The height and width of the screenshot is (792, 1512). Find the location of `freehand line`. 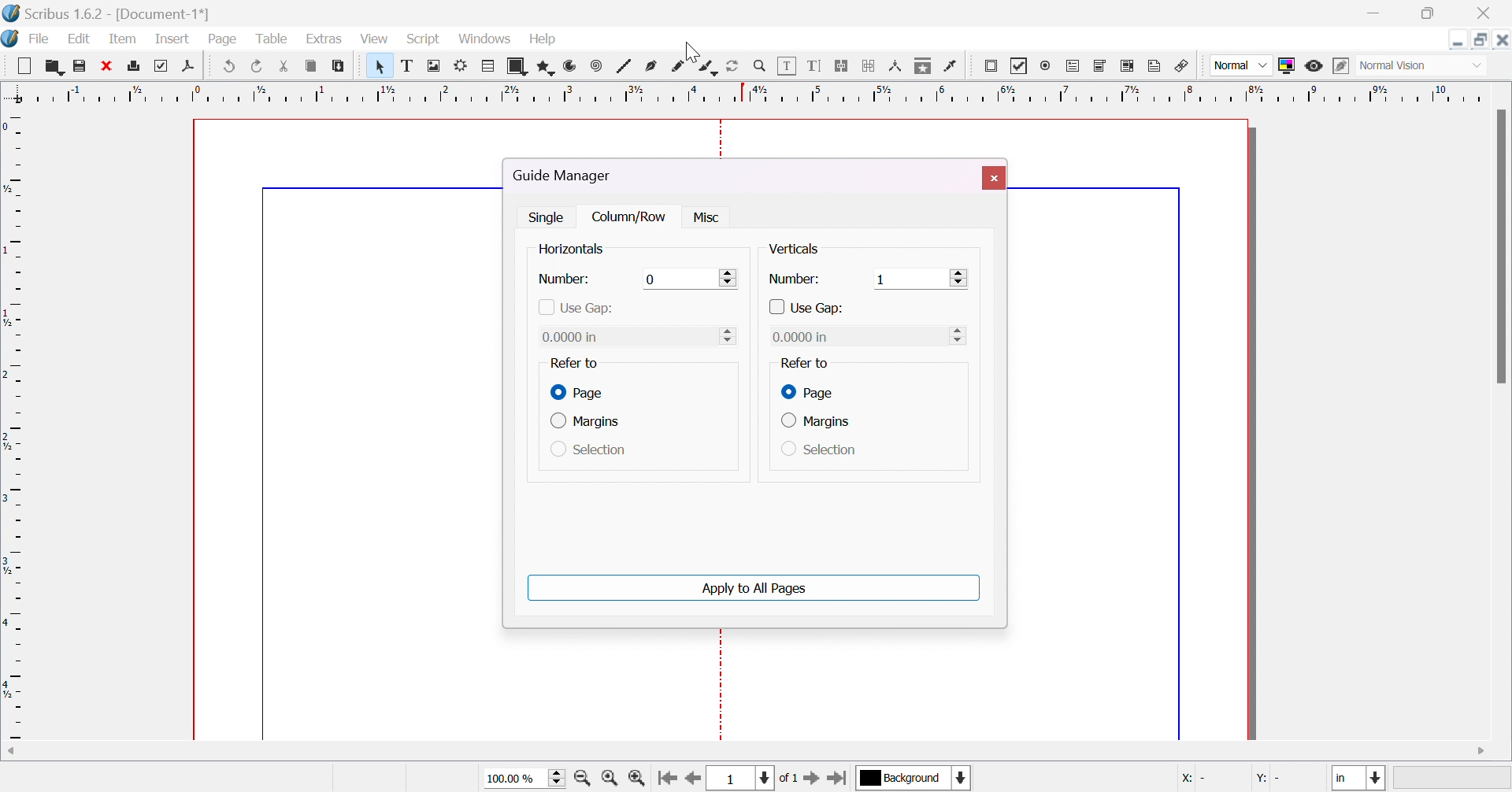

freehand line is located at coordinates (681, 68).